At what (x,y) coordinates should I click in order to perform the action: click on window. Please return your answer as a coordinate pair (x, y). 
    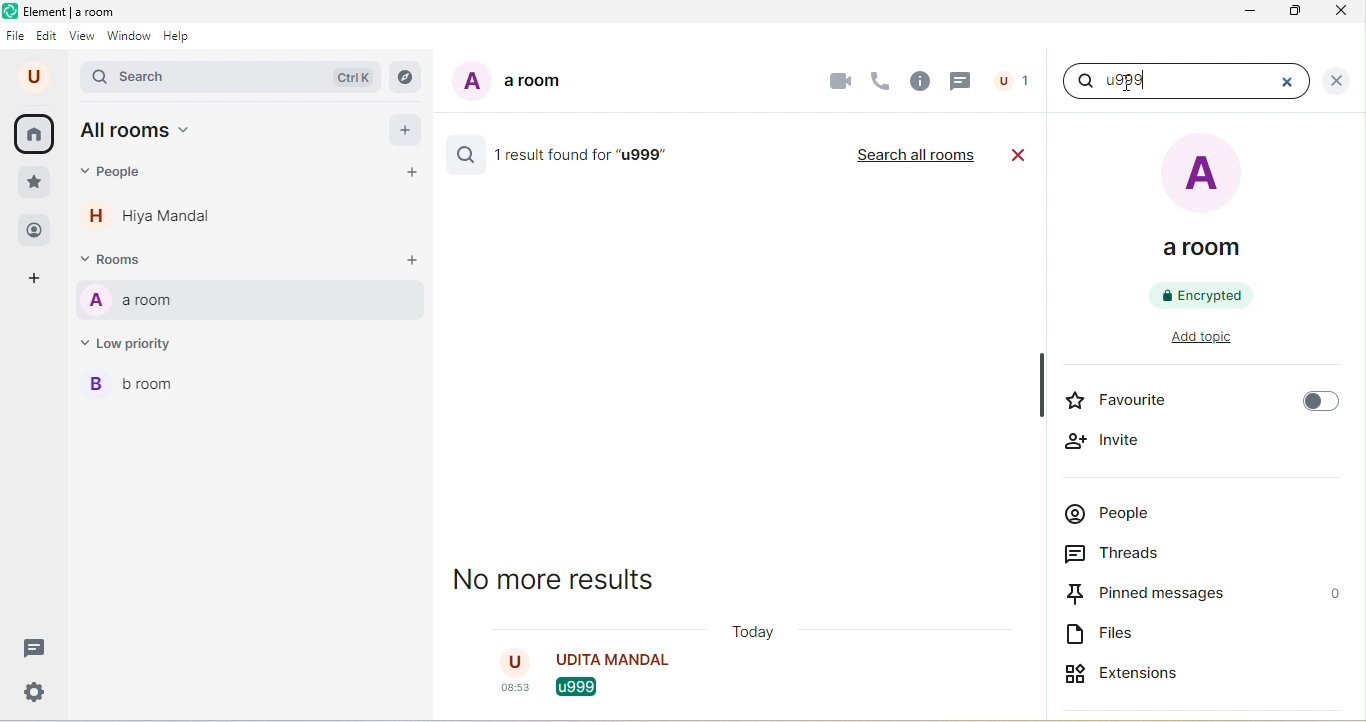
    Looking at the image, I should click on (130, 38).